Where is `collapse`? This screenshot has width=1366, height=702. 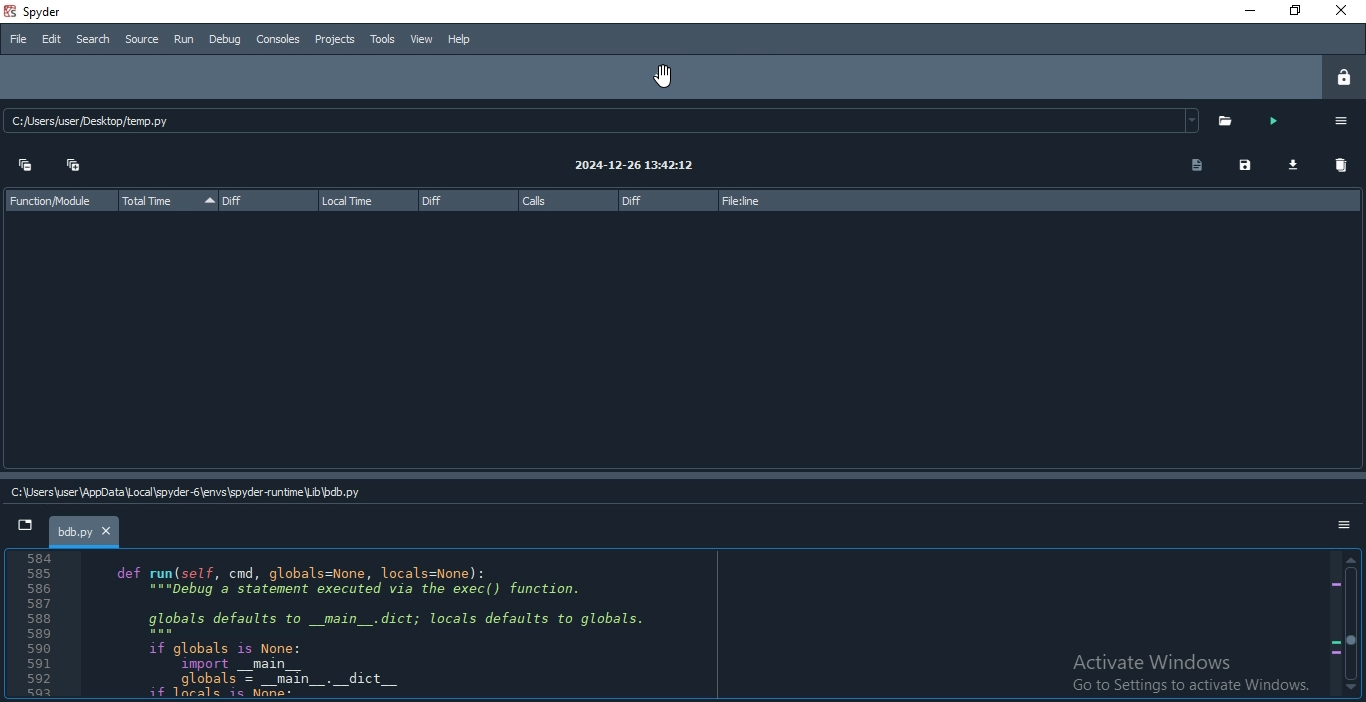 collapse is located at coordinates (26, 165).